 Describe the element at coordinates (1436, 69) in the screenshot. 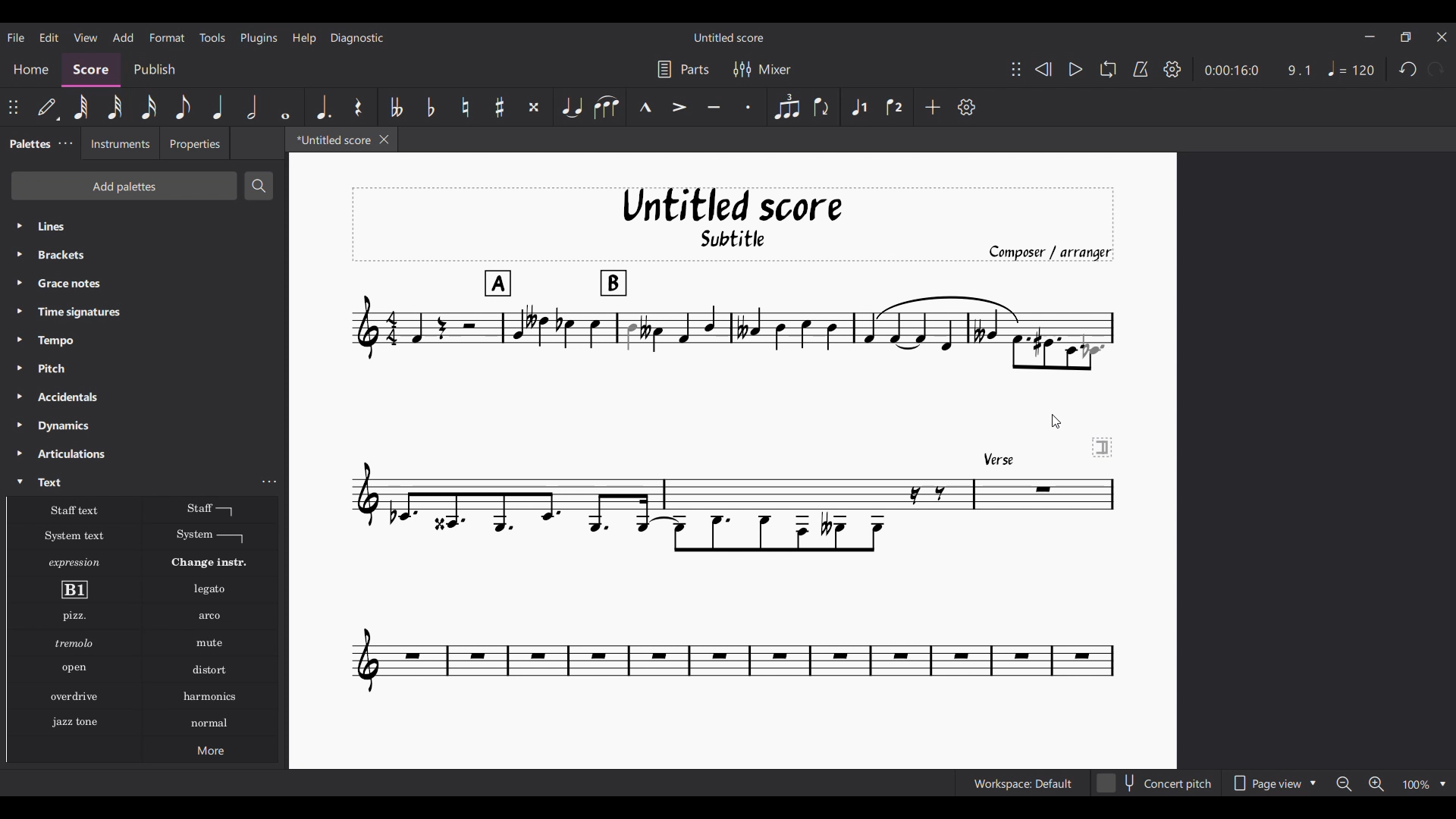

I see `Redo` at that location.